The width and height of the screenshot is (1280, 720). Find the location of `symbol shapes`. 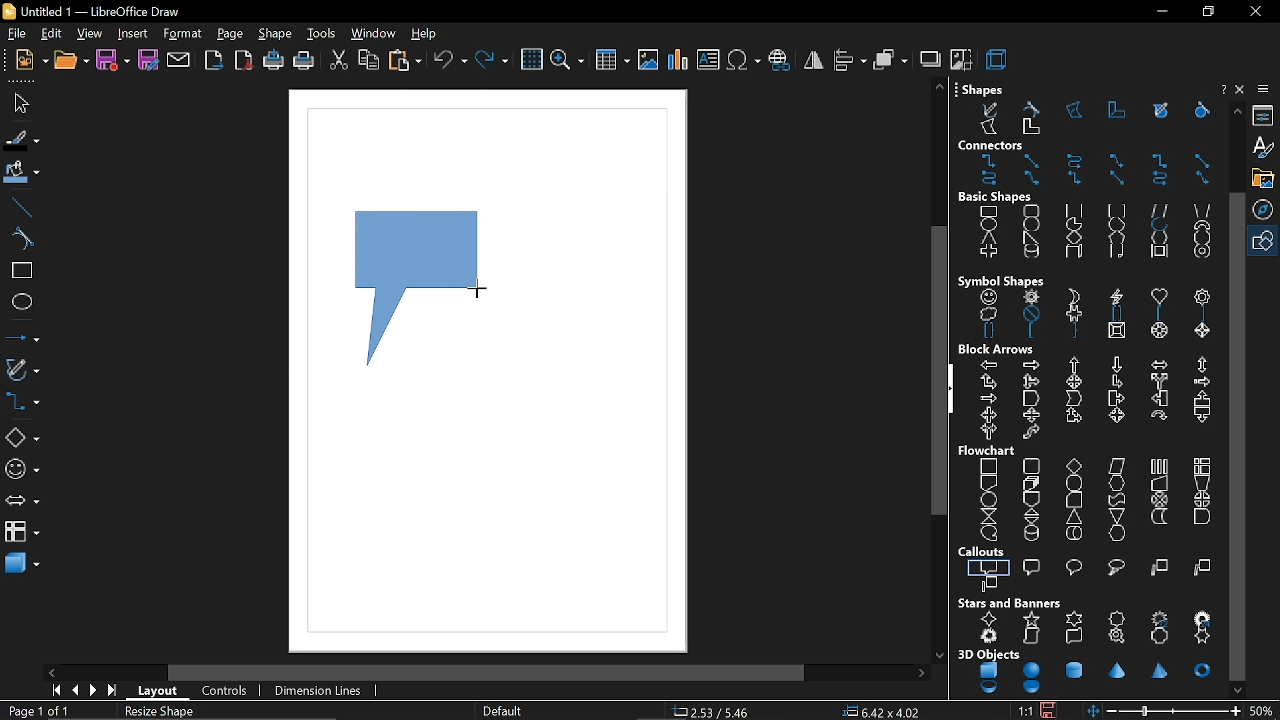

symbol shapes is located at coordinates (1002, 280).